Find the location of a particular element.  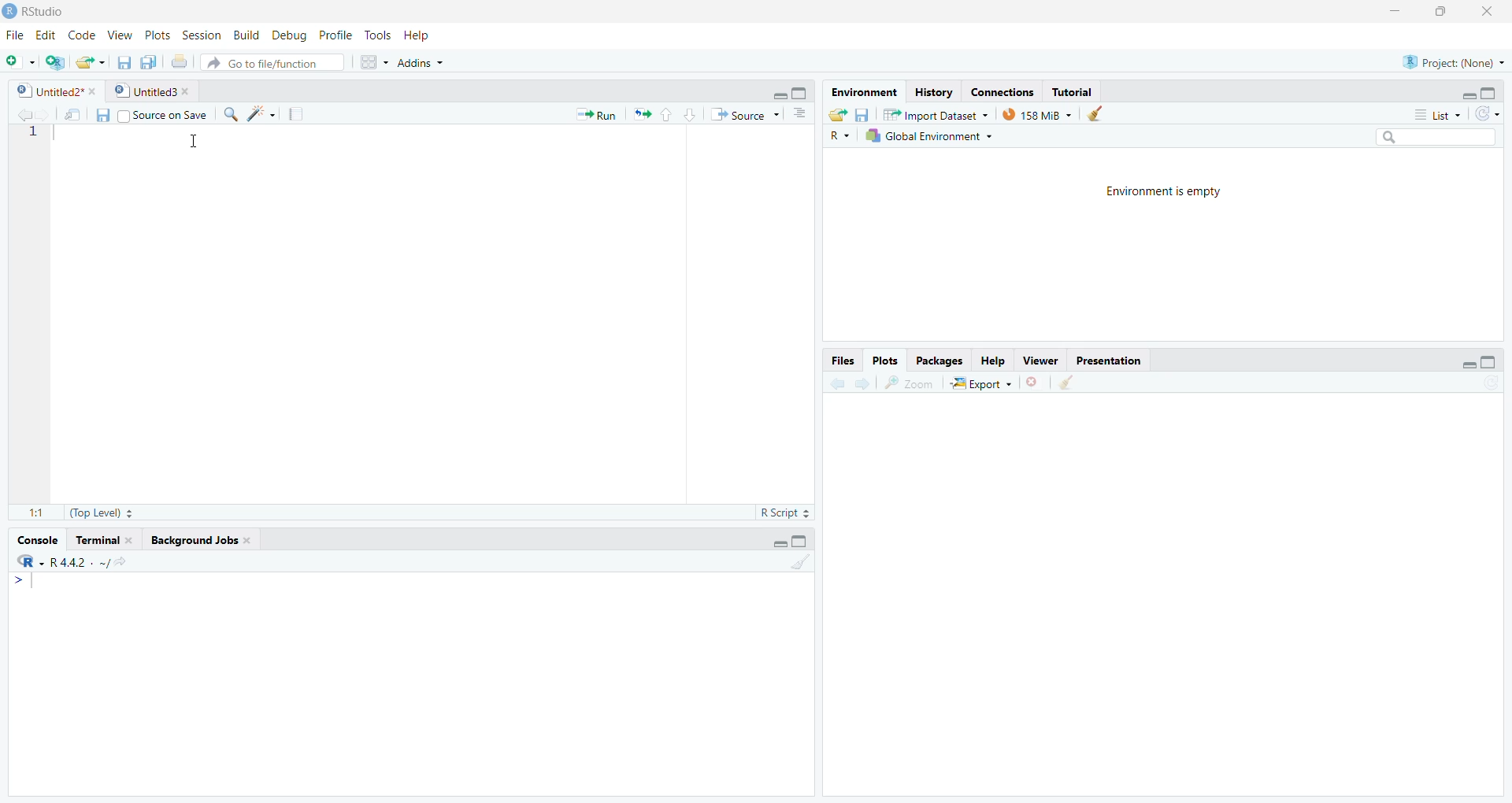

Console is located at coordinates (37, 538).